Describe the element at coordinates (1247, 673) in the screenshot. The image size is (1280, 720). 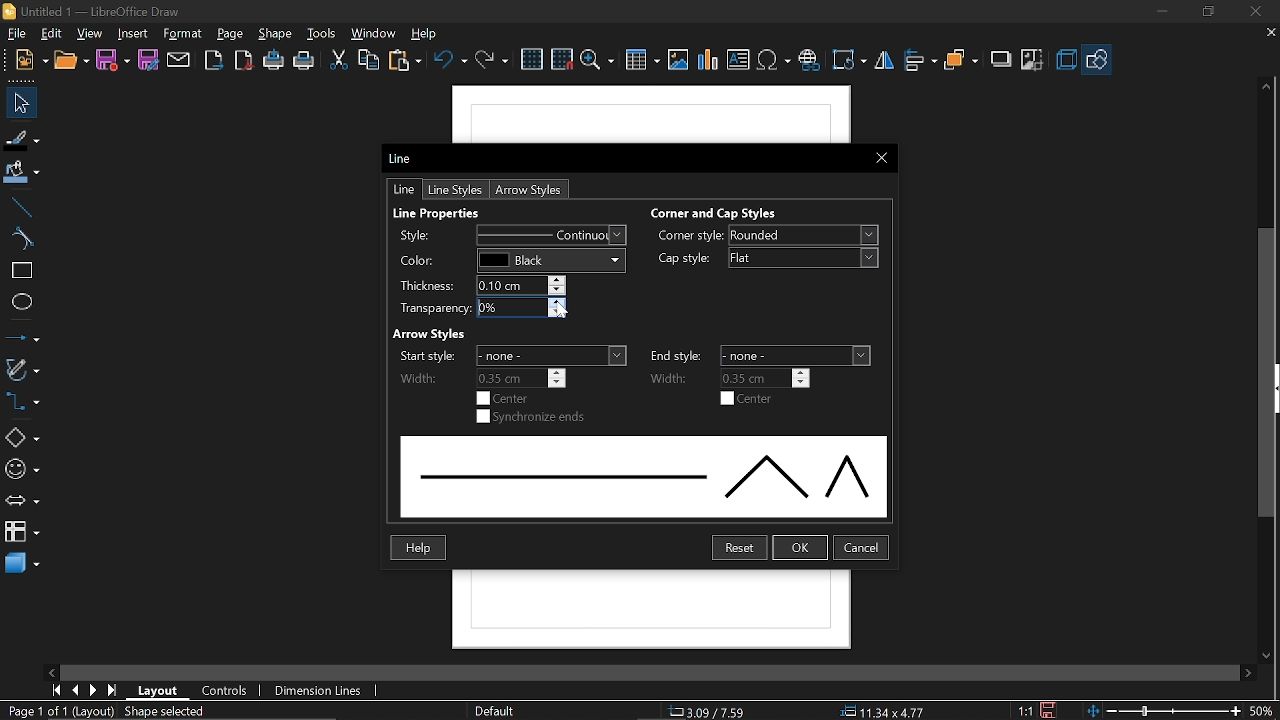
I see `Move right` at that location.